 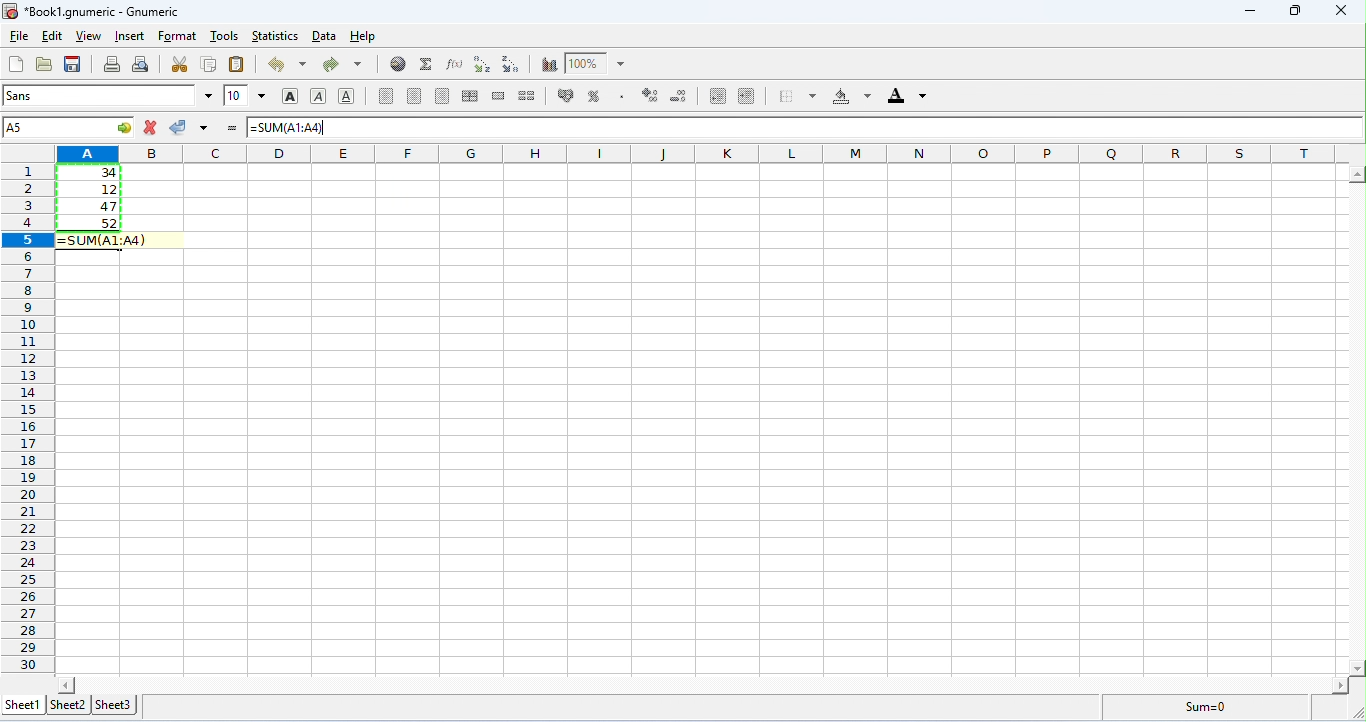 What do you see at coordinates (180, 64) in the screenshot?
I see `cut` at bounding box center [180, 64].